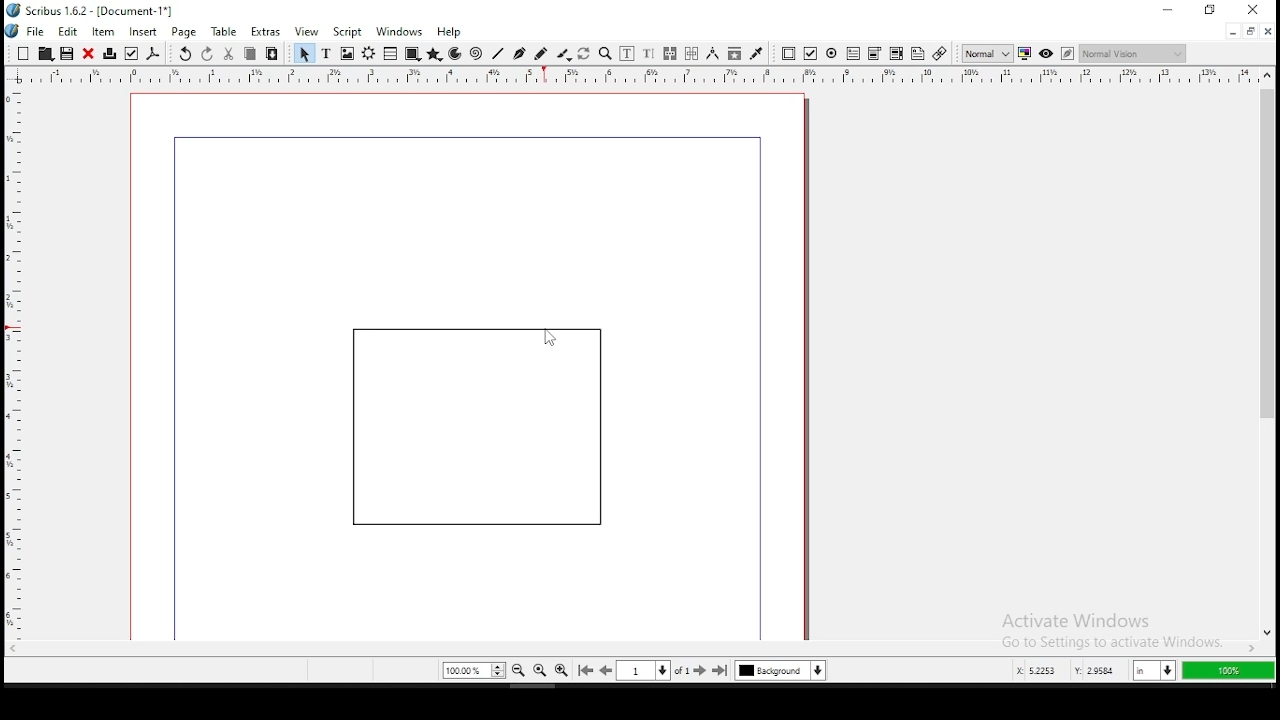 This screenshot has width=1280, height=720. Describe the element at coordinates (1269, 32) in the screenshot. I see `close` at that location.